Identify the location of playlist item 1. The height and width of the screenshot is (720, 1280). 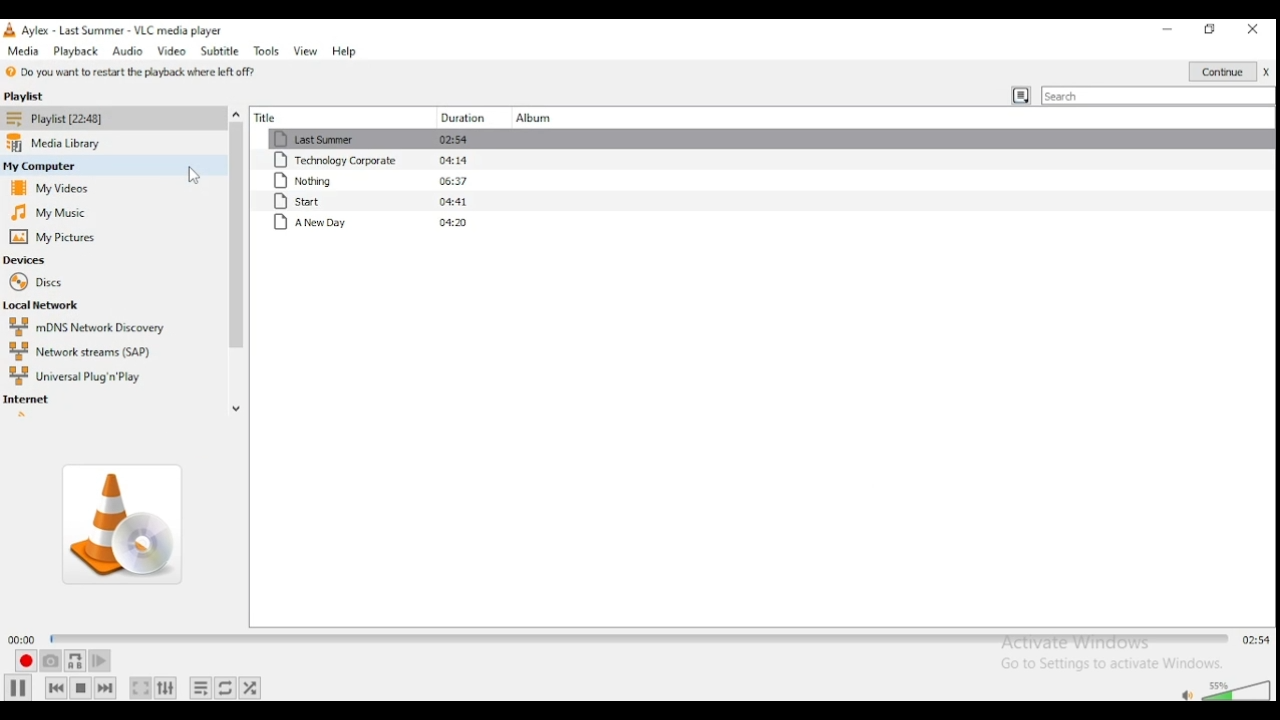
(384, 138).